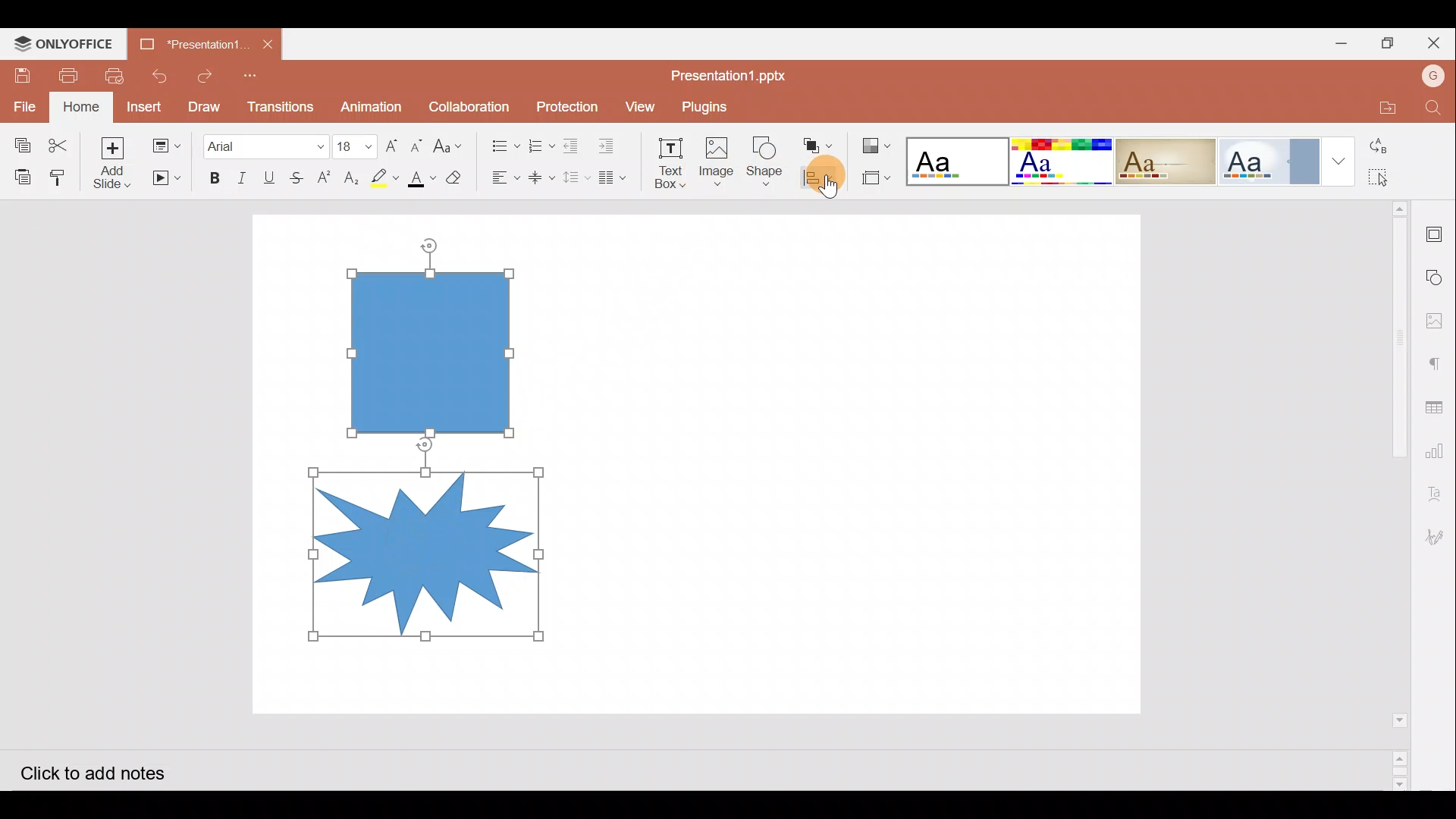 This screenshot has height=819, width=1456. What do you see at coordinates (1166, 158) in the screenshot?
I see `Classic` at bounding box center [1166, 158].